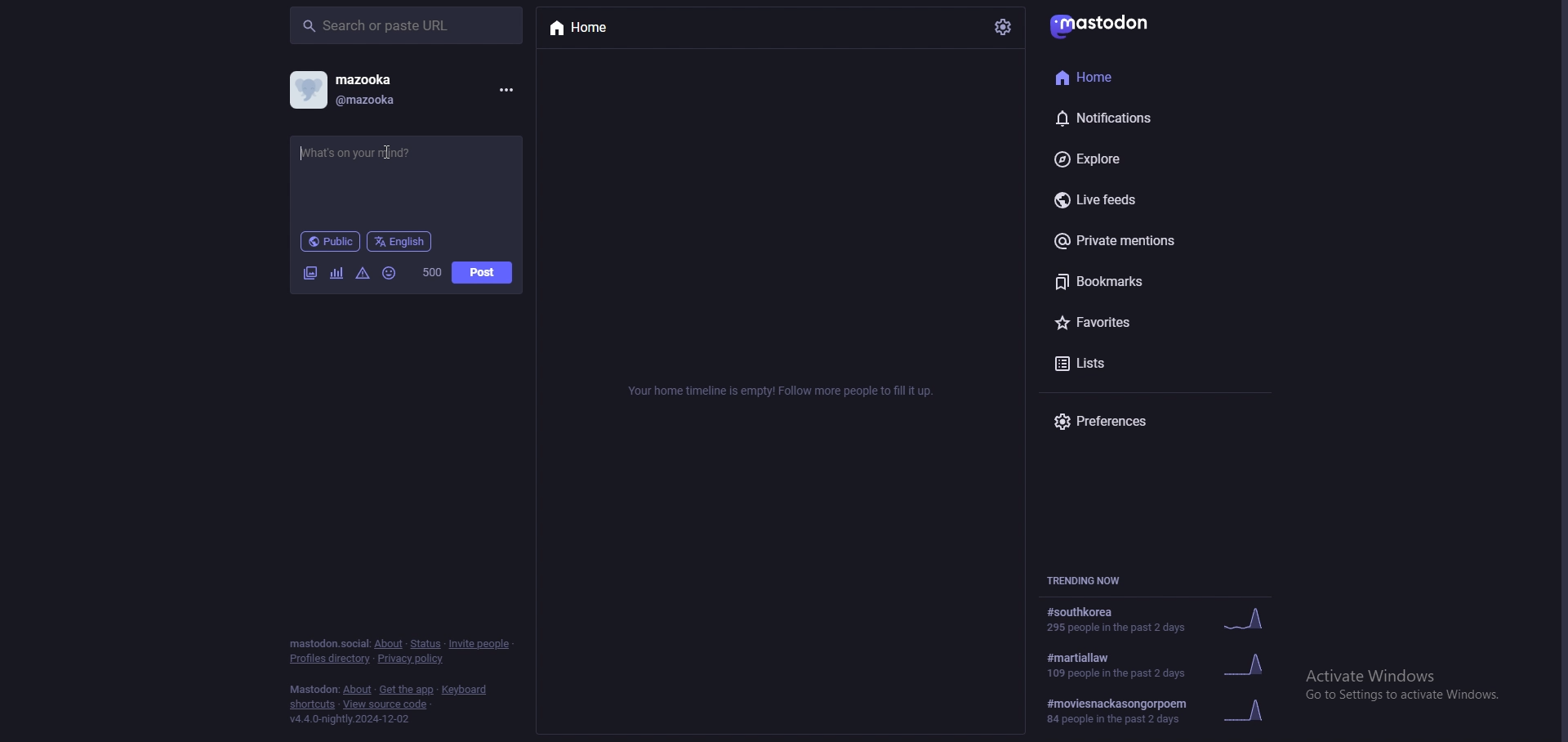 The image size is (1568, 742). What do you see at coordinates (1129, 118) in the screenshot?
I see `notifications` at bounding box center [1129, 118].